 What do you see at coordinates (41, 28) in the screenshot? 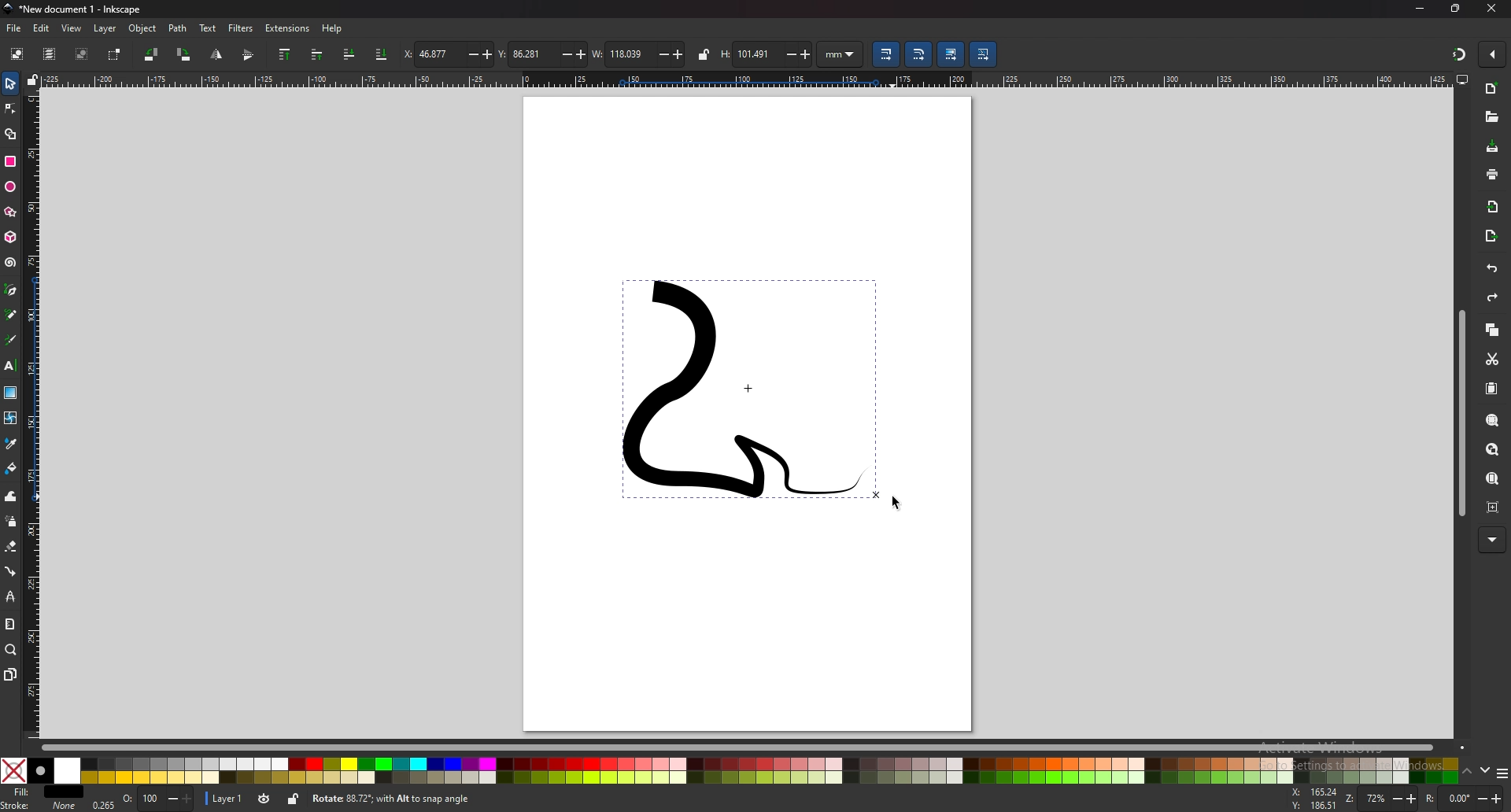
I see `edit` at bounding box center [41, 28].